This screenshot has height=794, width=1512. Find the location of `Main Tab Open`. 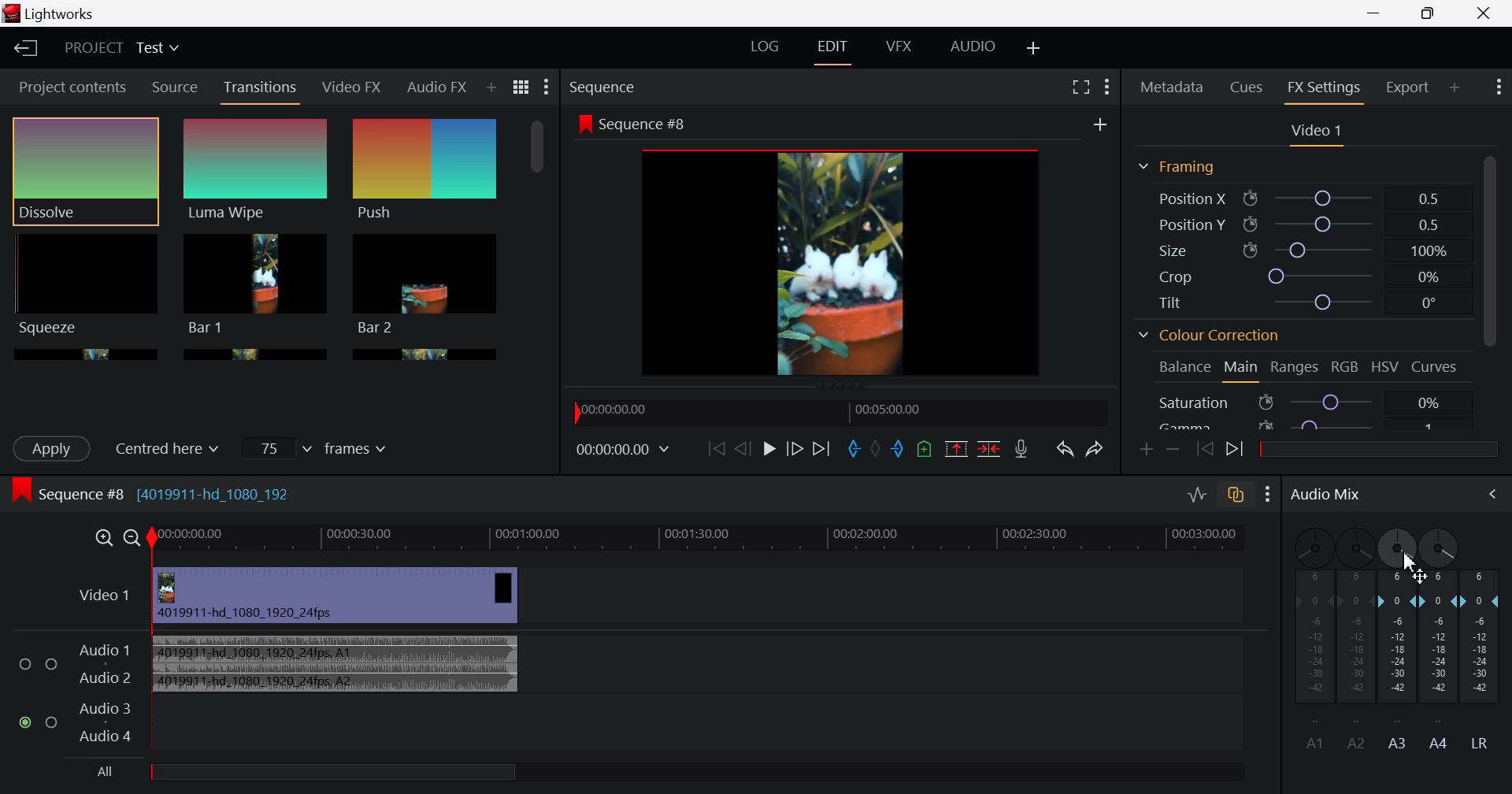

Main Tab Open is located at coordinates (1242, 369).